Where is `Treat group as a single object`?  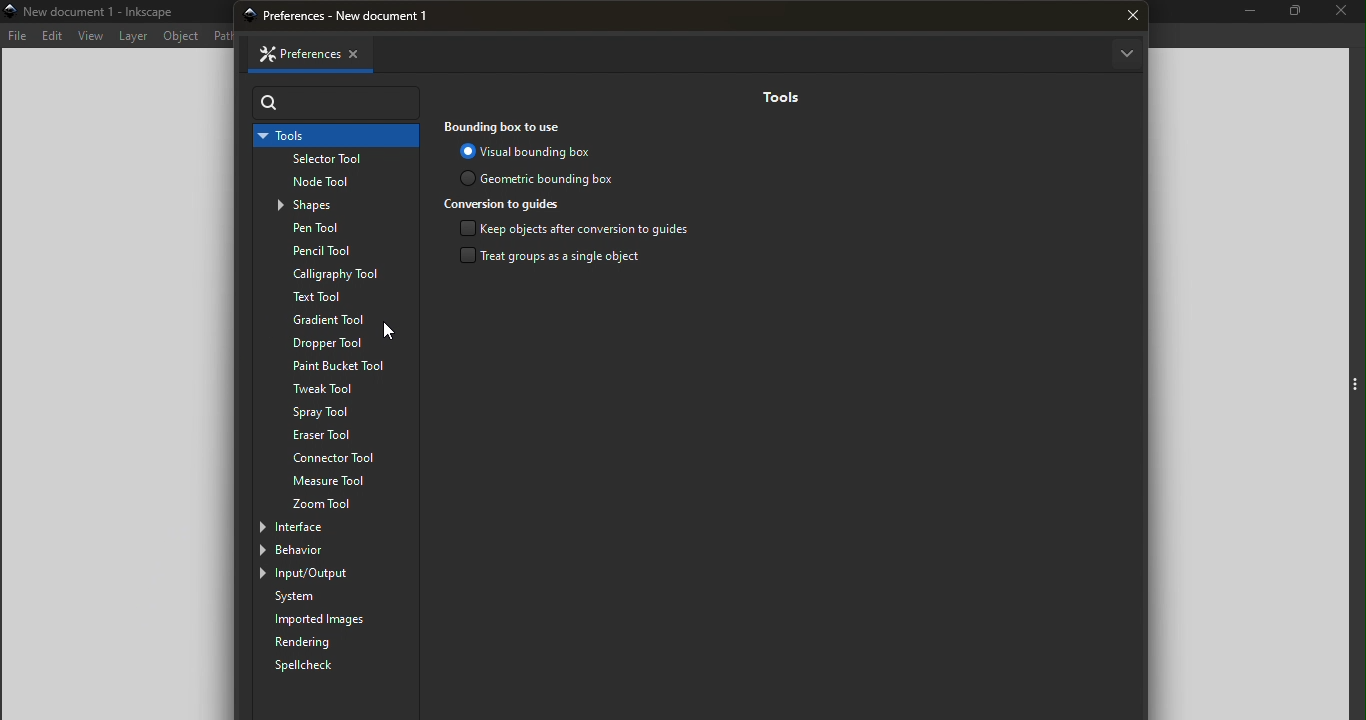
Treat group as a single object is located at coordinates (558, 258).